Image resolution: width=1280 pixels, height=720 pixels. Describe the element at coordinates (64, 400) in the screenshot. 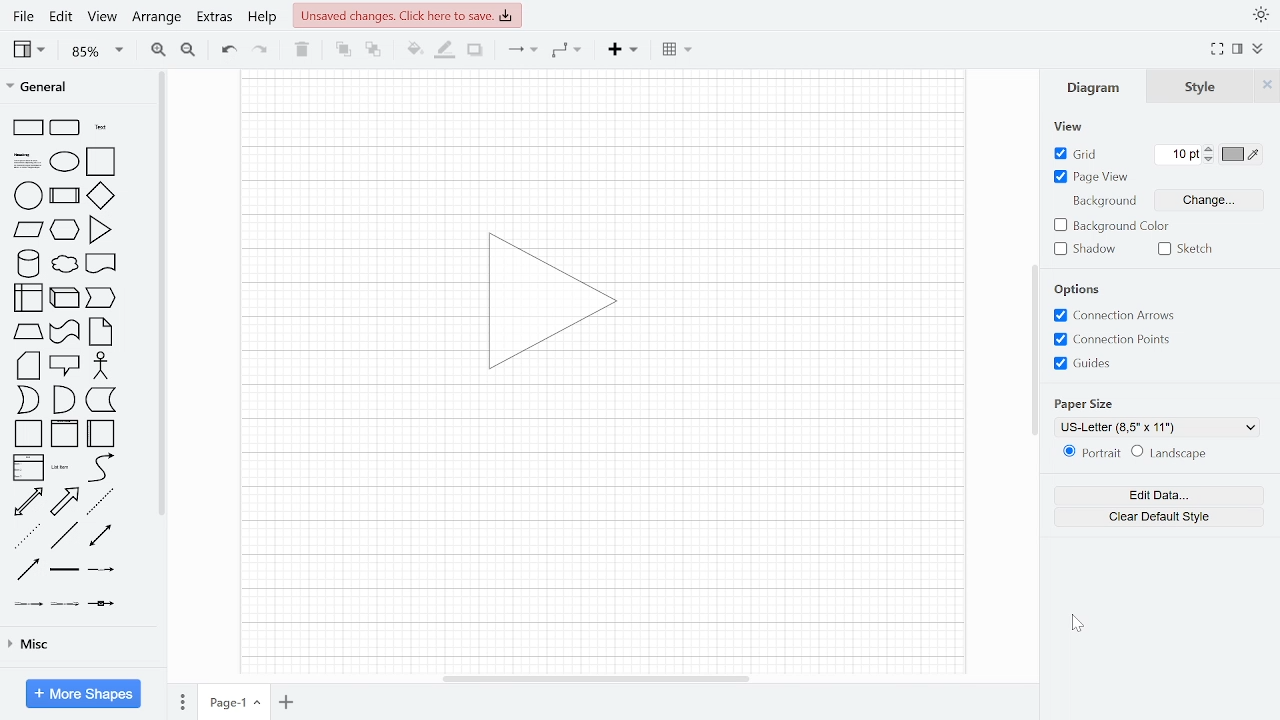

I see `And` at that location.